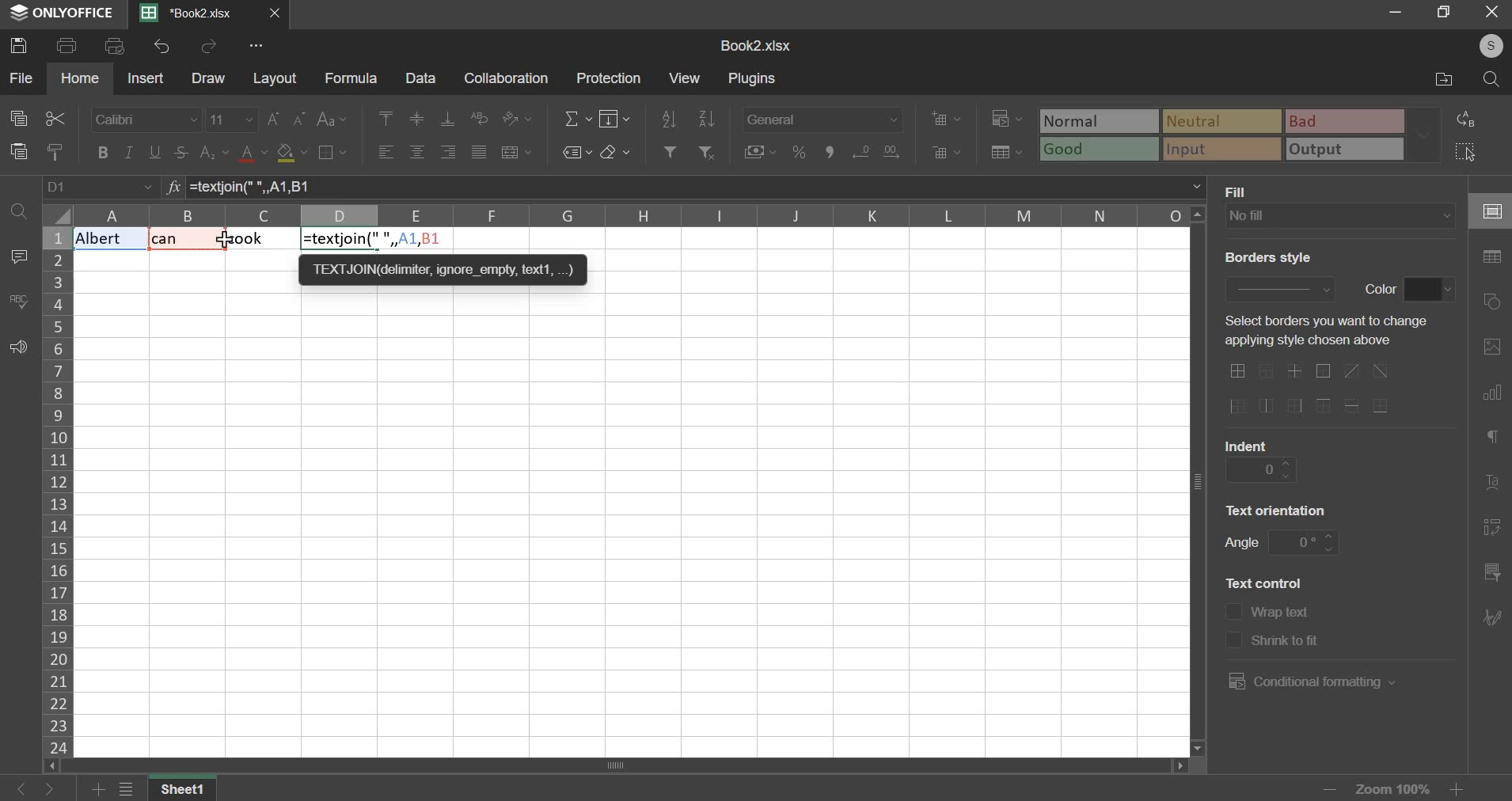 Image resolution: width=1512 pixels, height=801 pixels. What do you see at coordinates (145, 78) in the screenshot?
I see `insert` at bounding box center [145, 78].